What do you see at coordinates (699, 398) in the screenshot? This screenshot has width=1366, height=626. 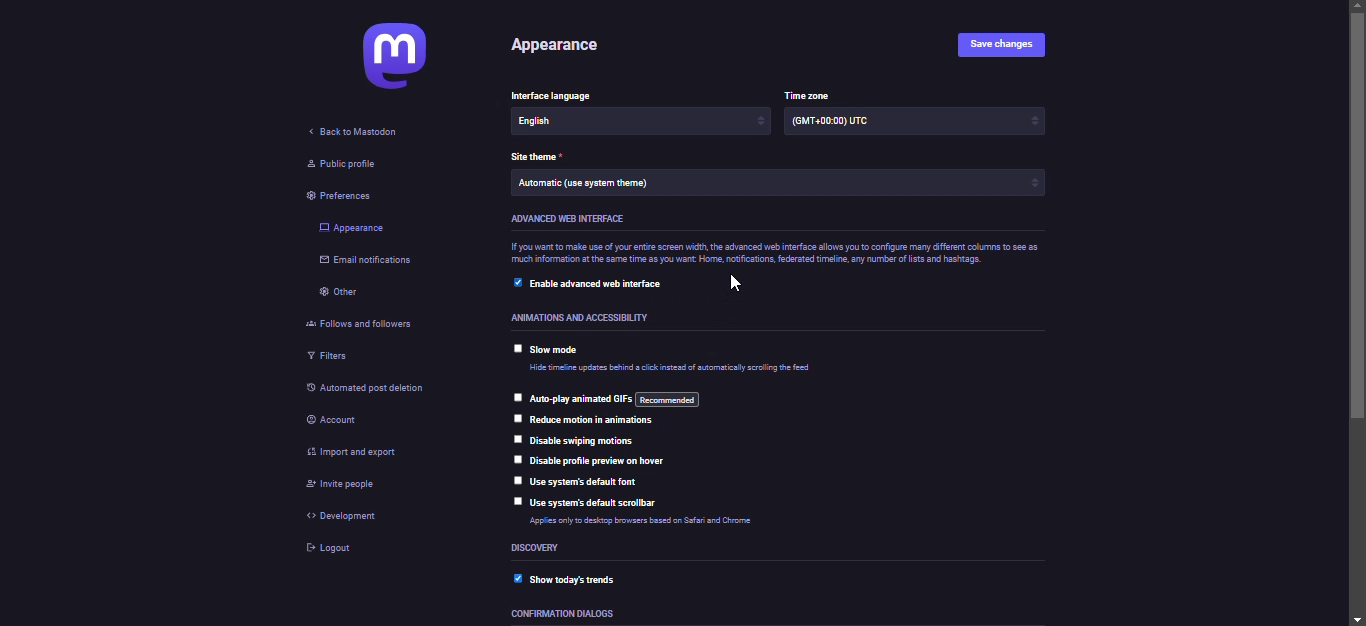 I see `auto play animated gifs: recommended` at bounding box center [699, 398].